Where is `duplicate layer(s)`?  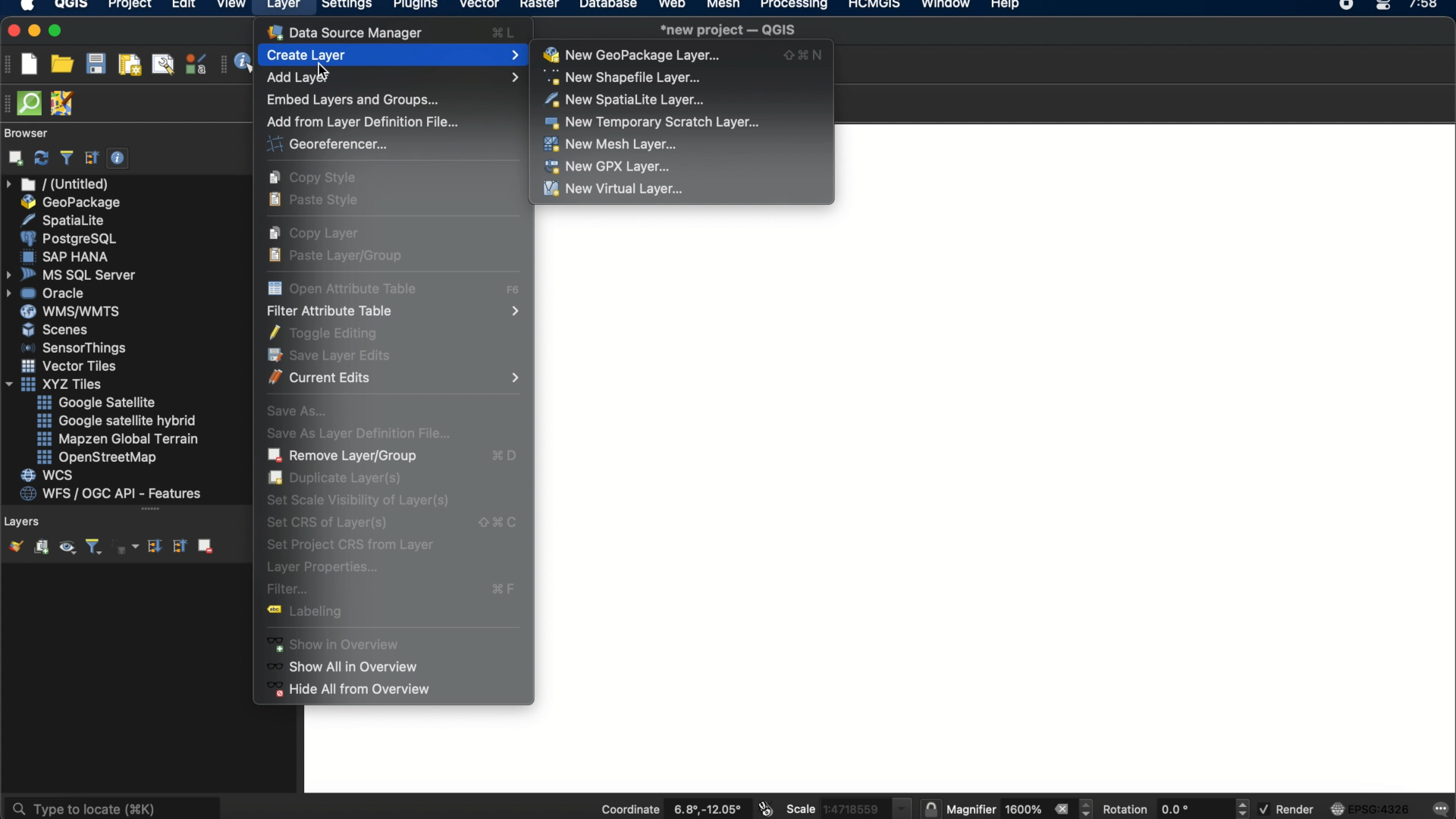
duplicate layer(s) is located at coordinates (334, 479).